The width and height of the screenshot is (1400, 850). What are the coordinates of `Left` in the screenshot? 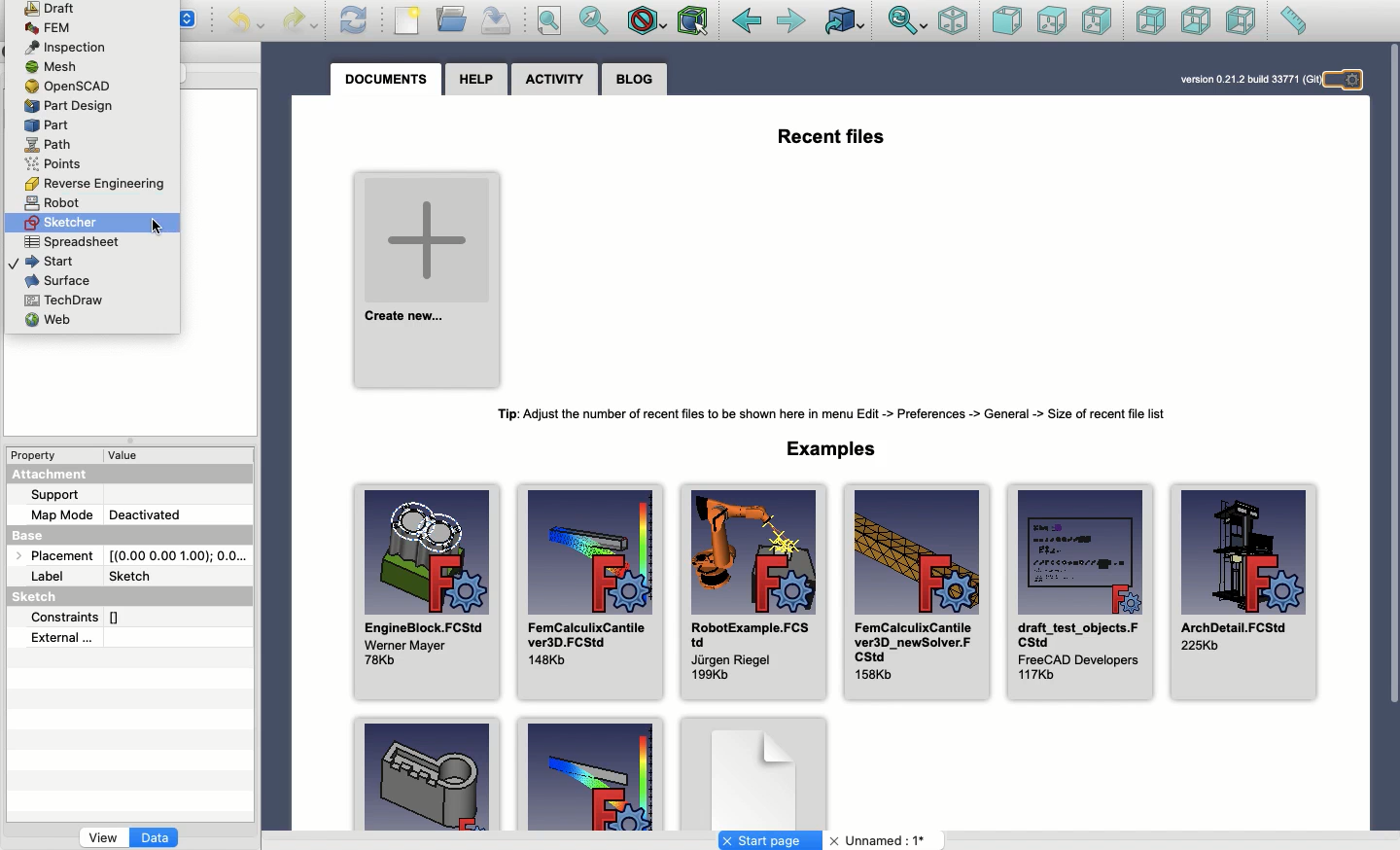 It's located at (1242, 20).